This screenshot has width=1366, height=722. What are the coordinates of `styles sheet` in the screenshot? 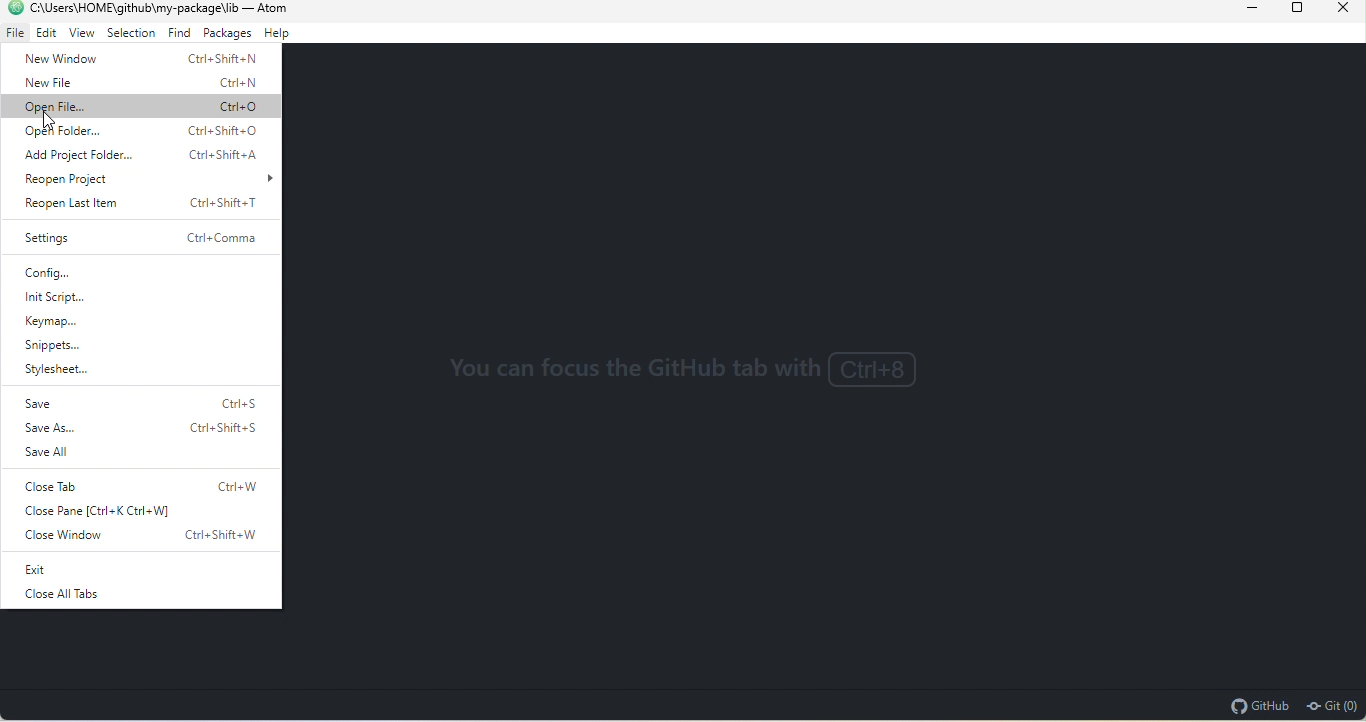 It's located at (74, 371).